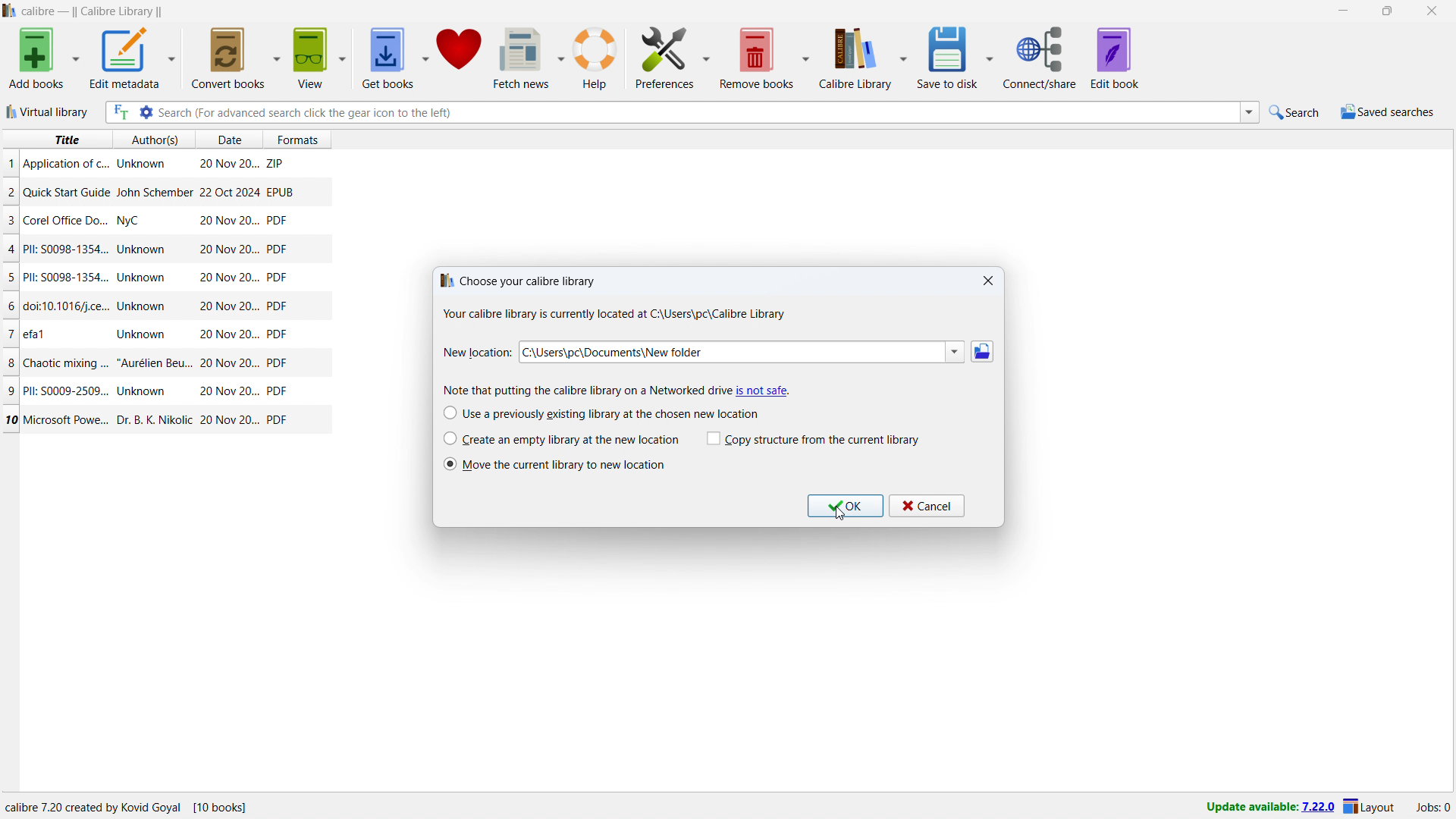 This screenshot has height=819, width=1456. I want to click on search history, so click(1250, 113).